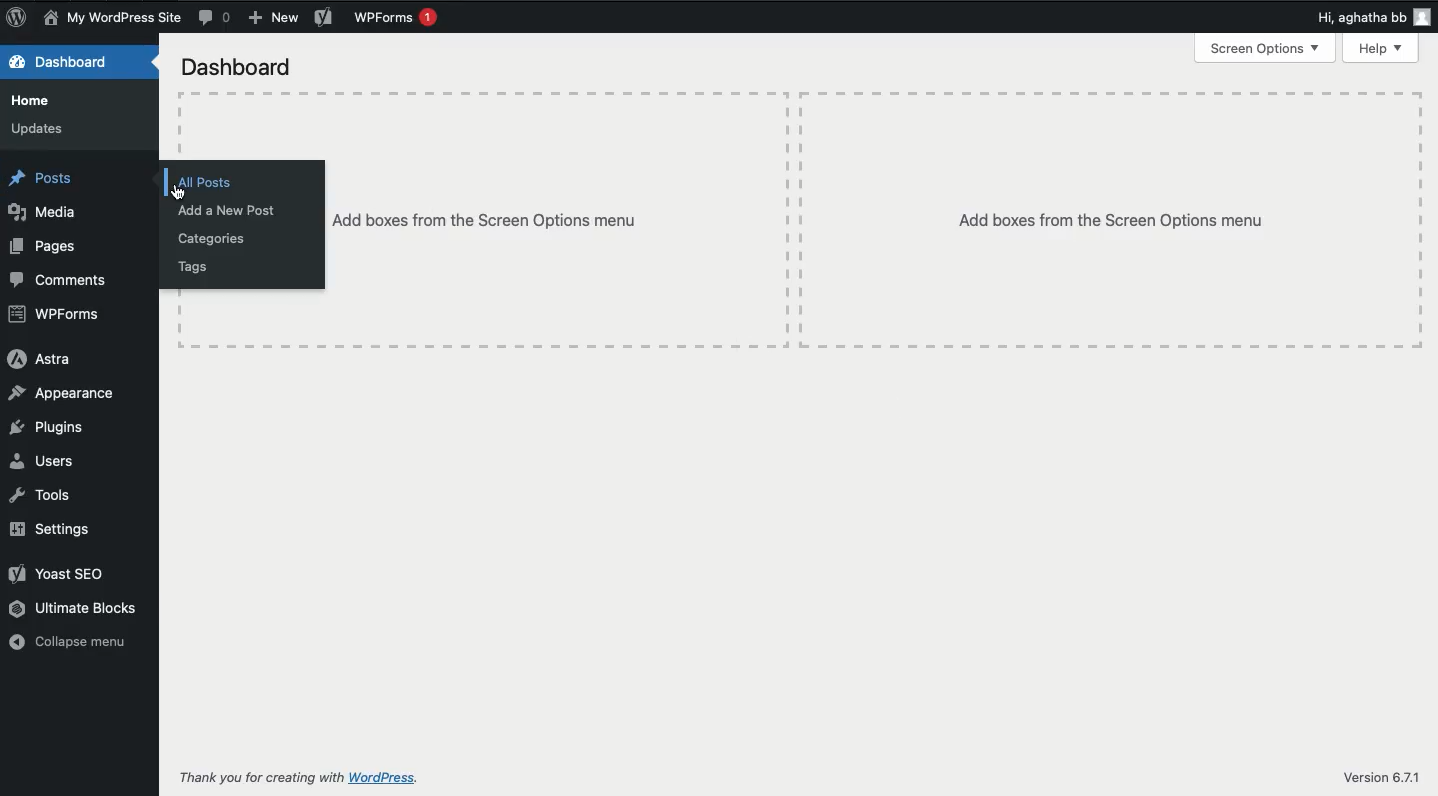  What do you see at coordinates (69, 63) in the screenshot?
I see `Dashboard` at bounding box center [69, 63].